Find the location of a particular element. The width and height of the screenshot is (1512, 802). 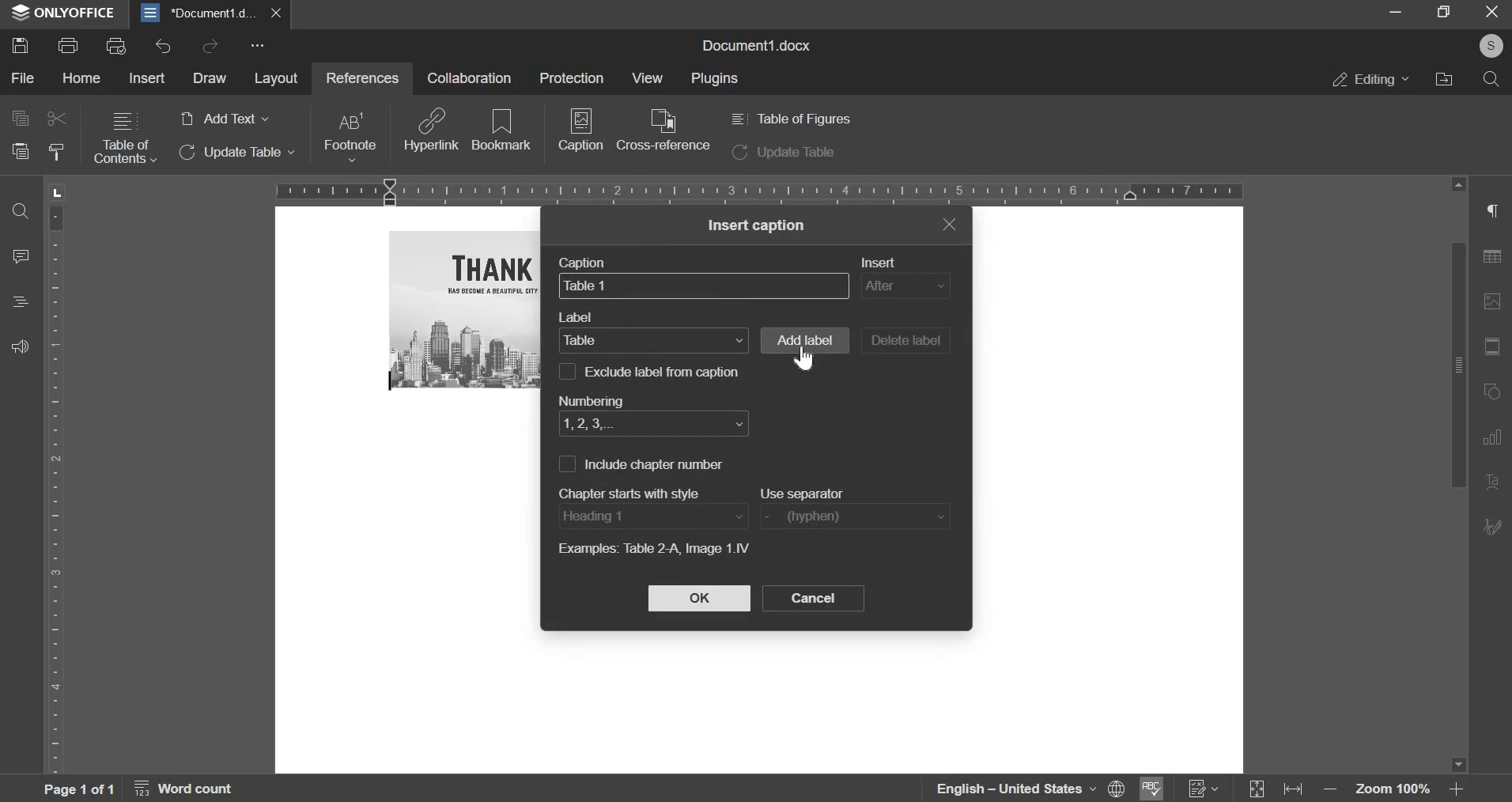

word count is located at coordinates (193, 791).